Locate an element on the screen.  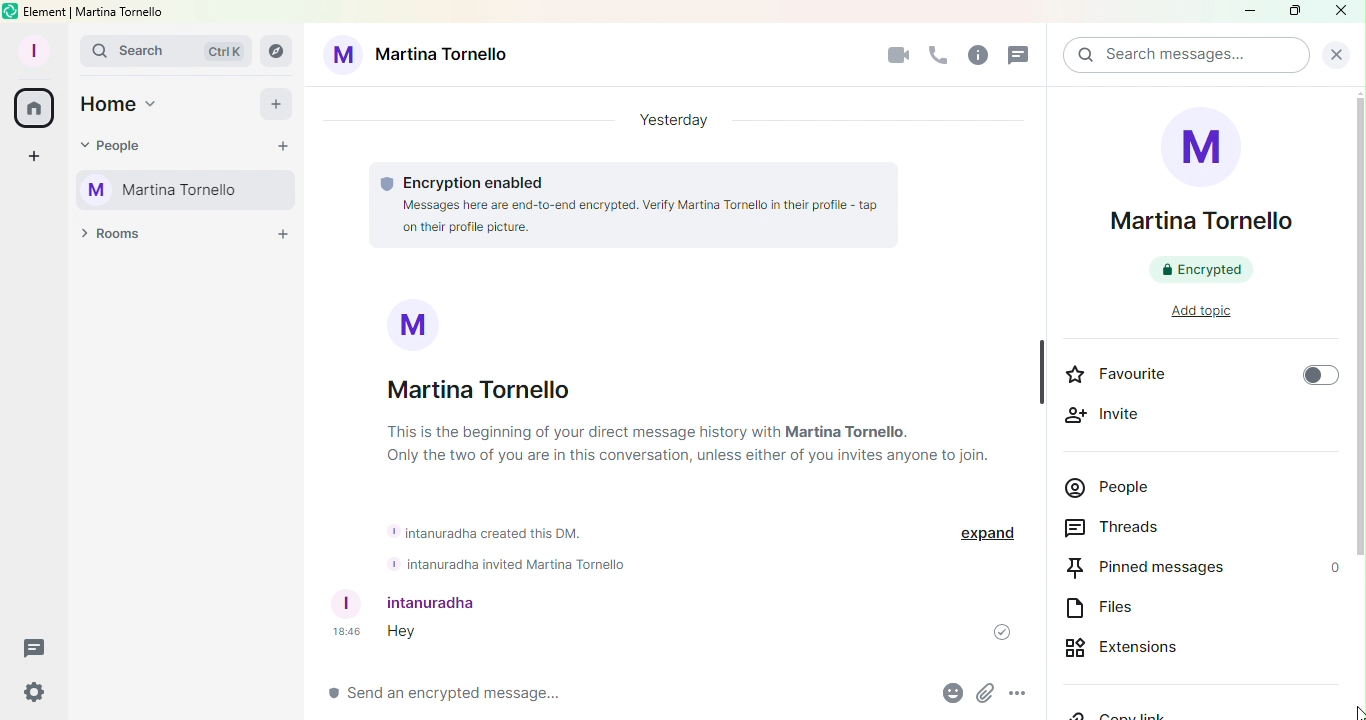
expand is located at coordinates (984, 533).